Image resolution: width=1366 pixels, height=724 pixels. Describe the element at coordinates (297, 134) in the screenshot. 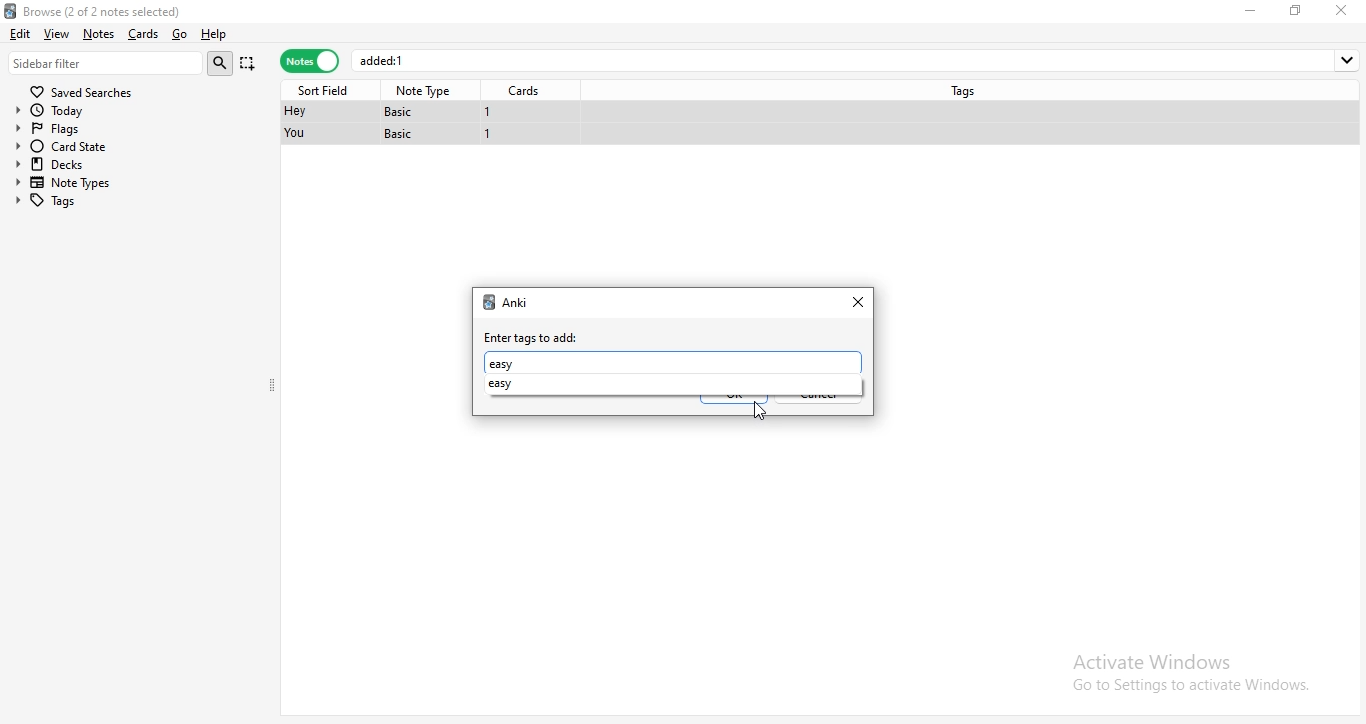

I see `you` at that location.